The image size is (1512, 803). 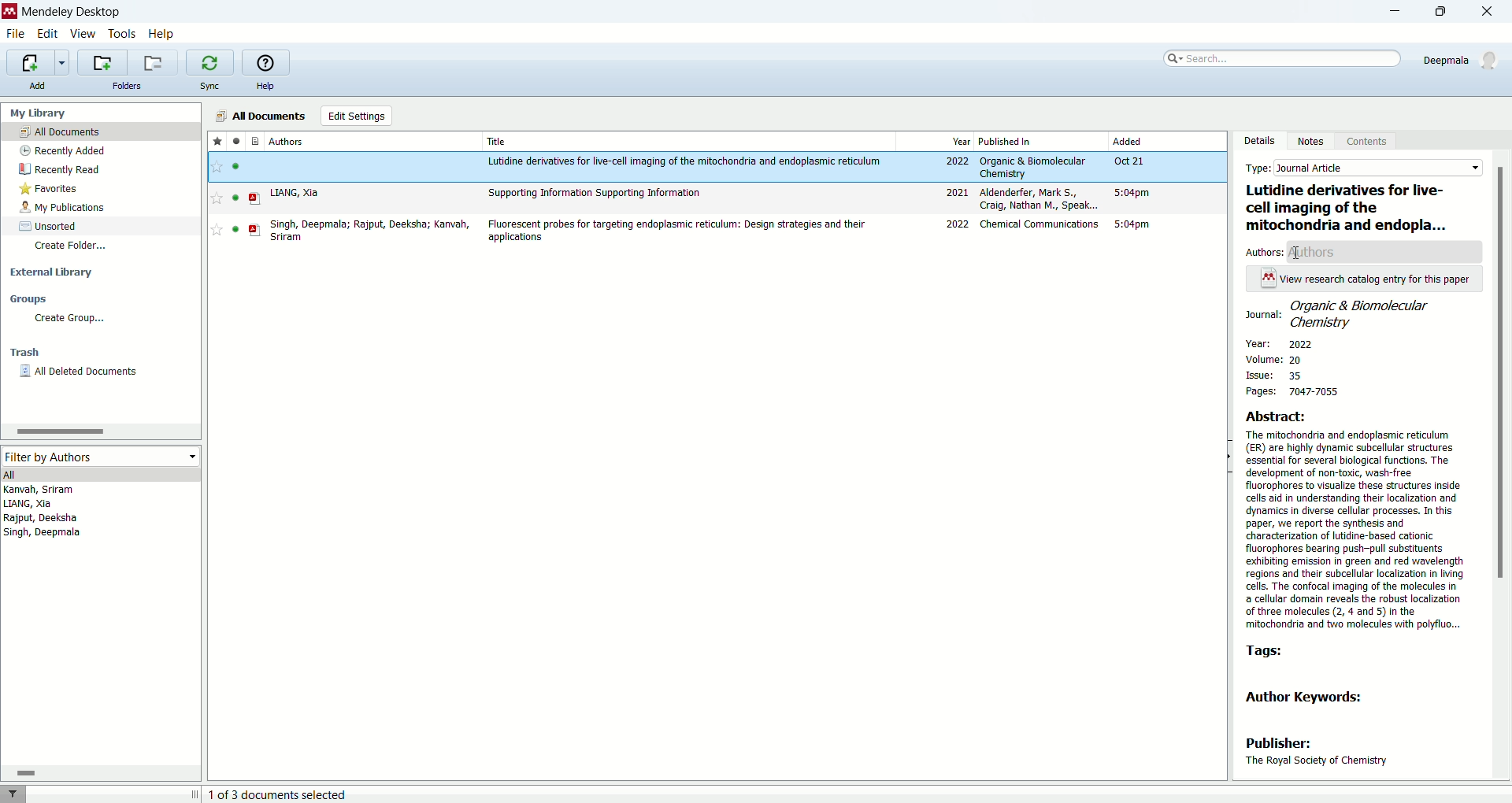 What do you see at coordinates (61, 209) in the screenshot?
I see `my publications` at bounding box center [61, 209].